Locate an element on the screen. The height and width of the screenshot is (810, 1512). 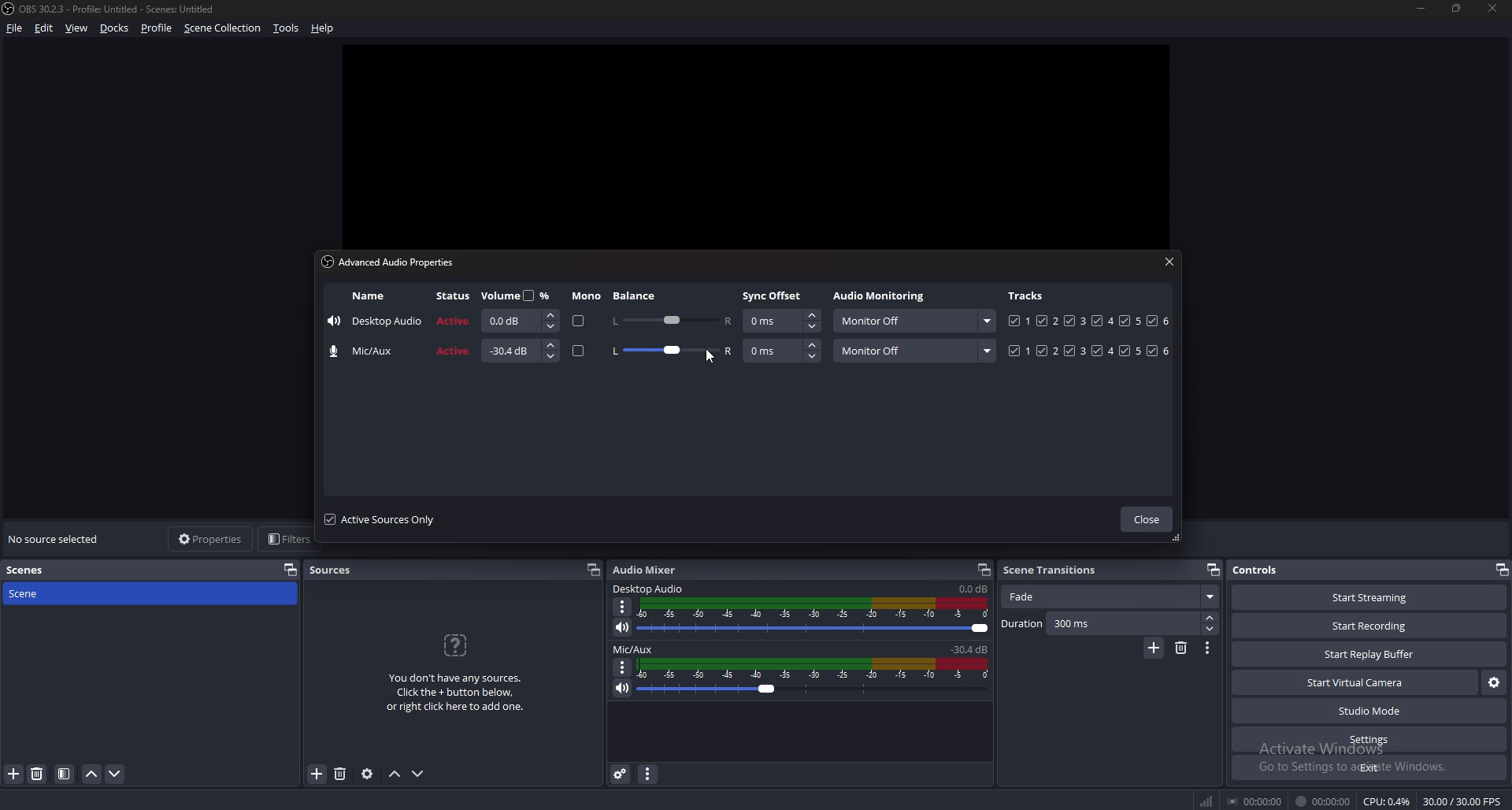
filters is located at coordinates (289, 539).